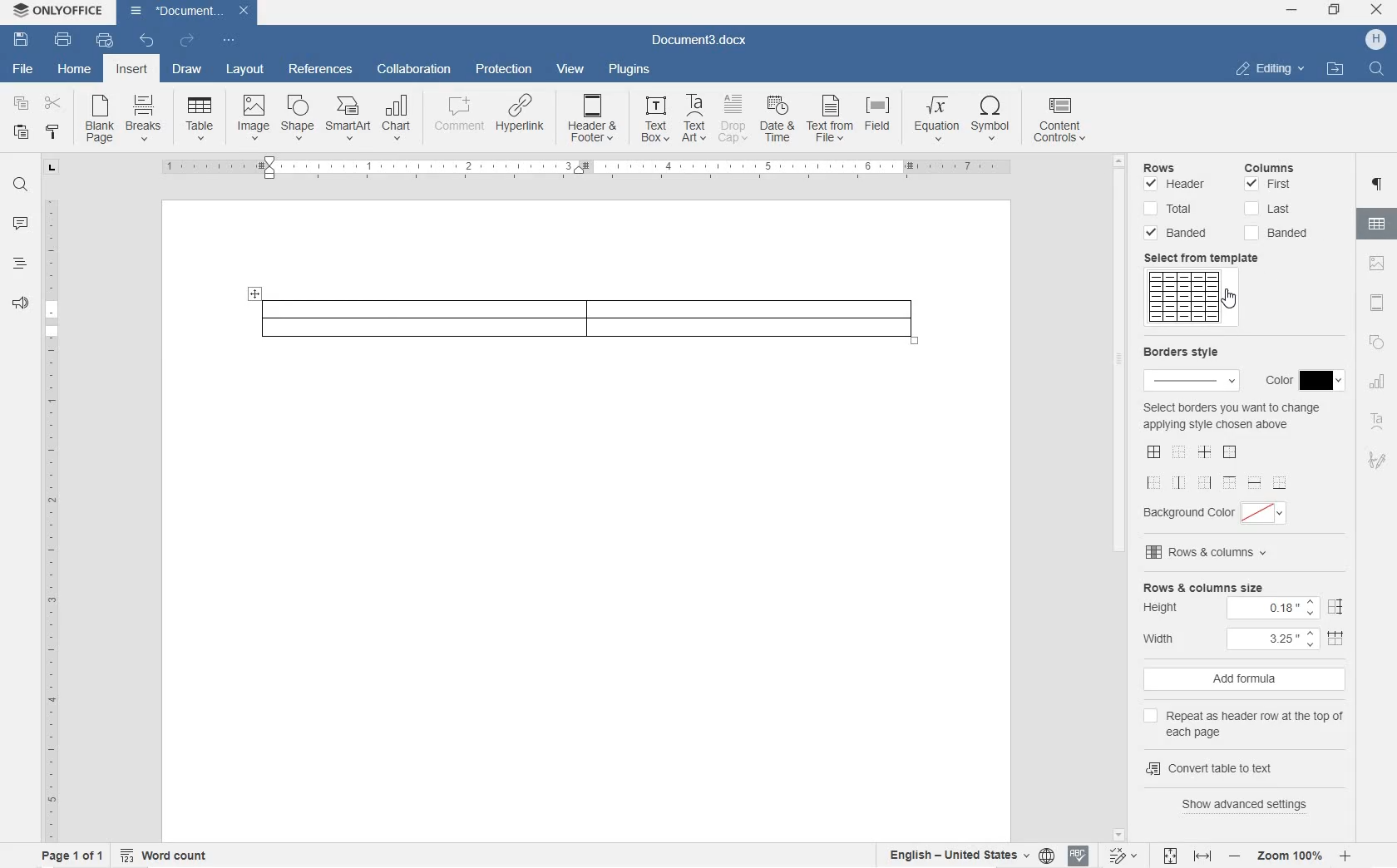 Image resolution: width=1397 pixels, height=868 pixels. What do you see at coordinates (1380, 186) in the screenshot?
I see `PARAGRAPH SETTINGS` at bounding box center [1380, 186].